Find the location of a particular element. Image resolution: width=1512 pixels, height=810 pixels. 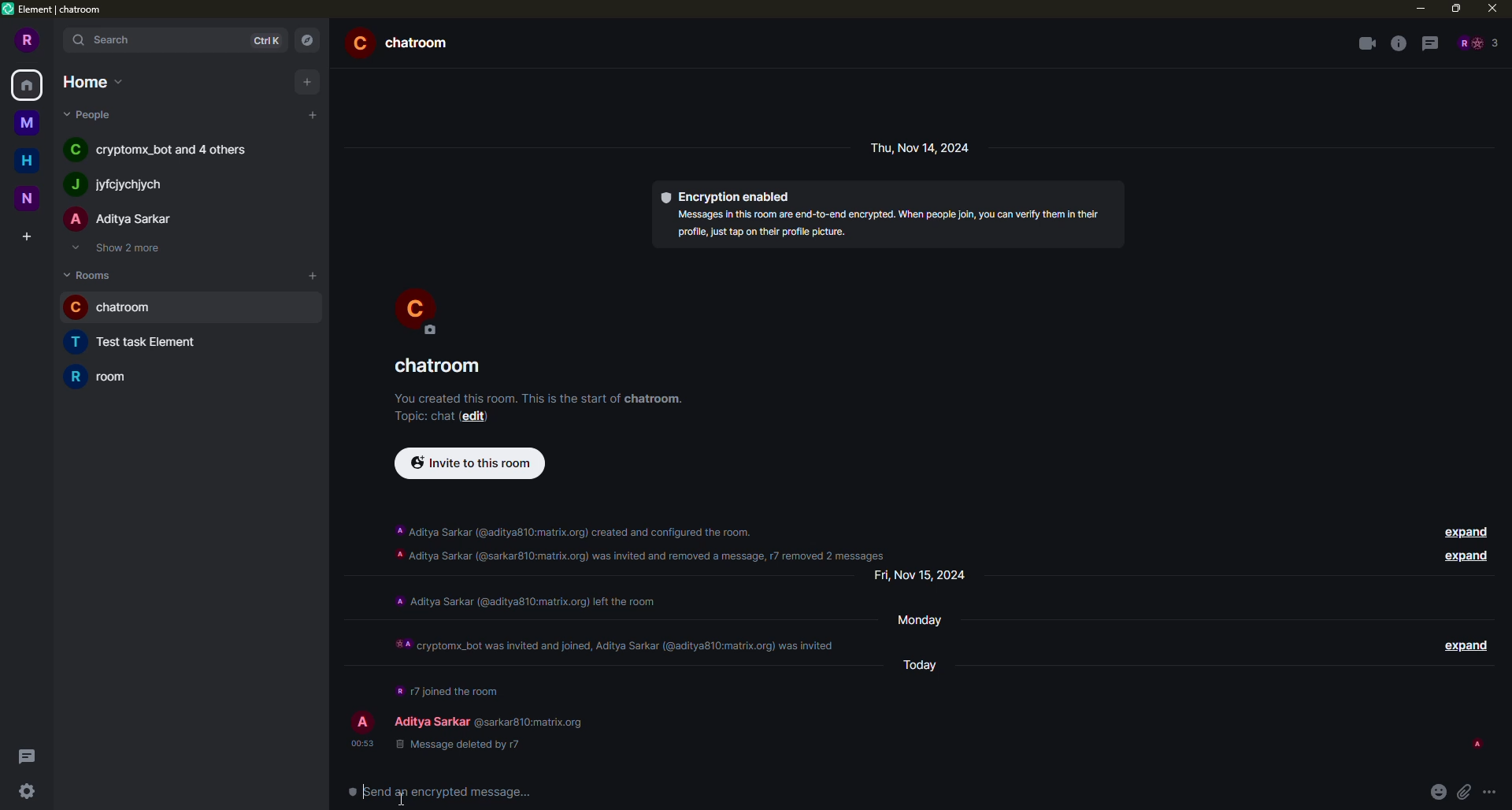

time is located at coordinates (361, 742).